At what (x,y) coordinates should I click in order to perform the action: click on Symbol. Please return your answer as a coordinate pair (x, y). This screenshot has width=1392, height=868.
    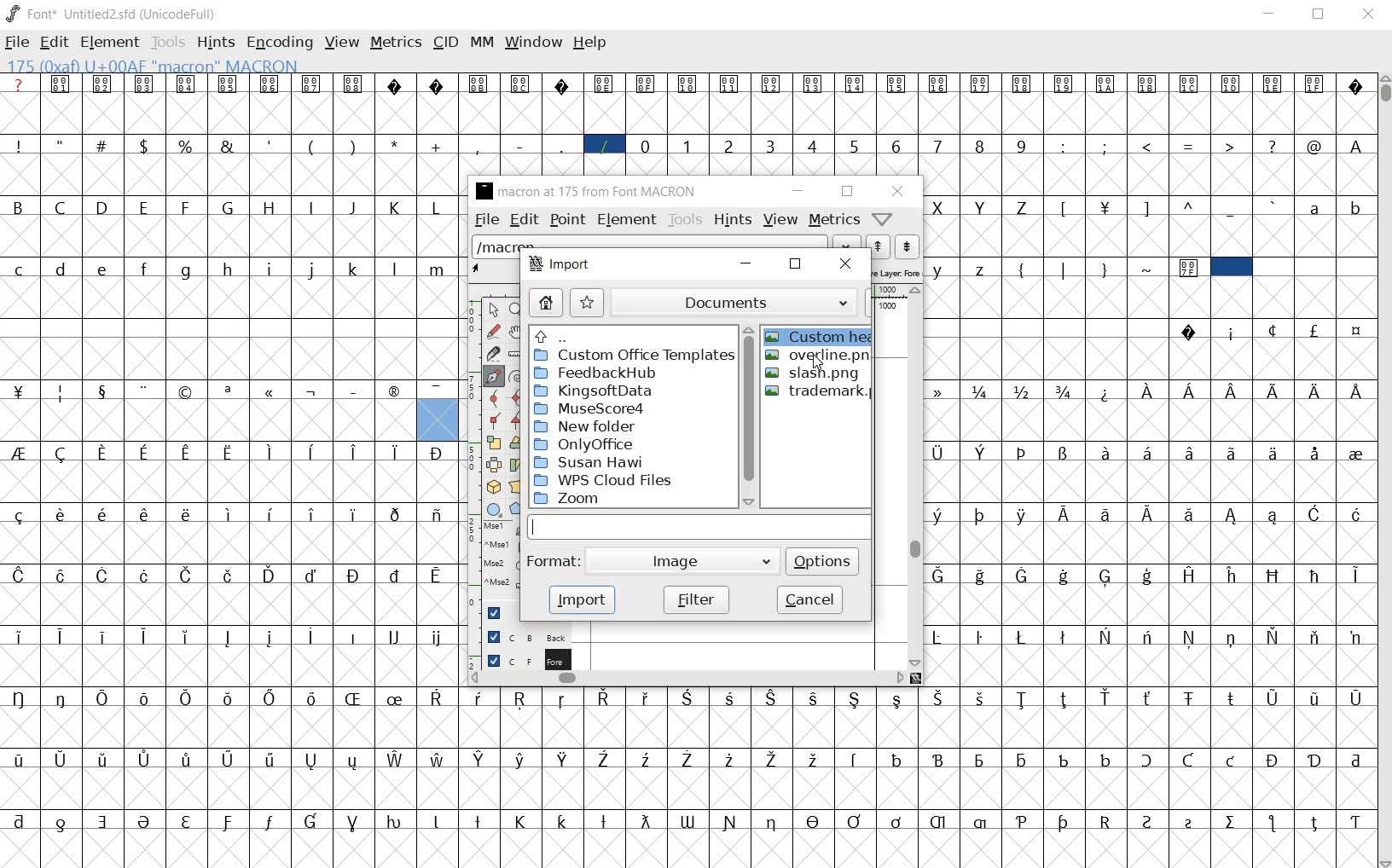
    Looking at the image, I should click on (941, 391).